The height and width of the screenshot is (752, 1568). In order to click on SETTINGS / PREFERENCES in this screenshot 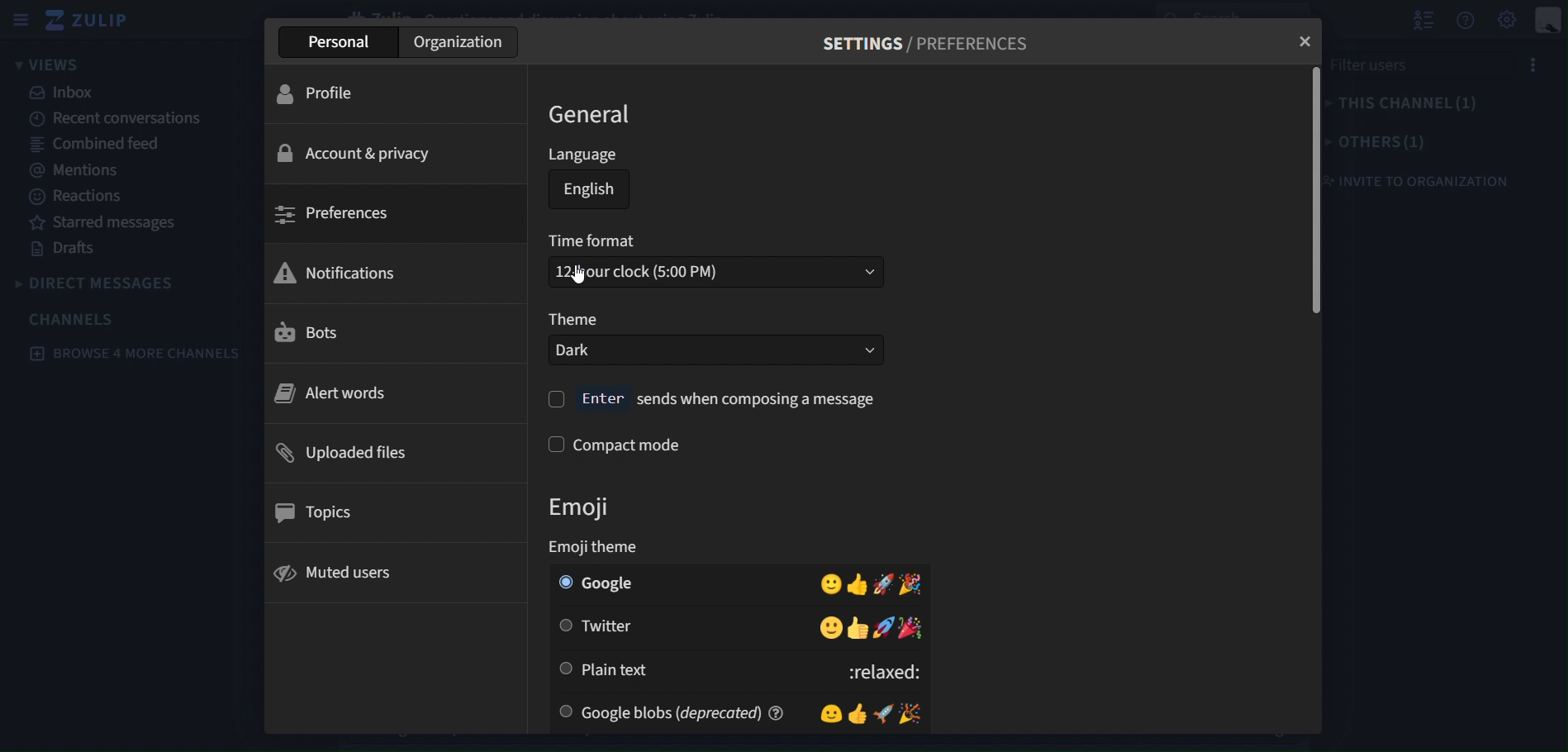, I will do `click(926, 40)`.